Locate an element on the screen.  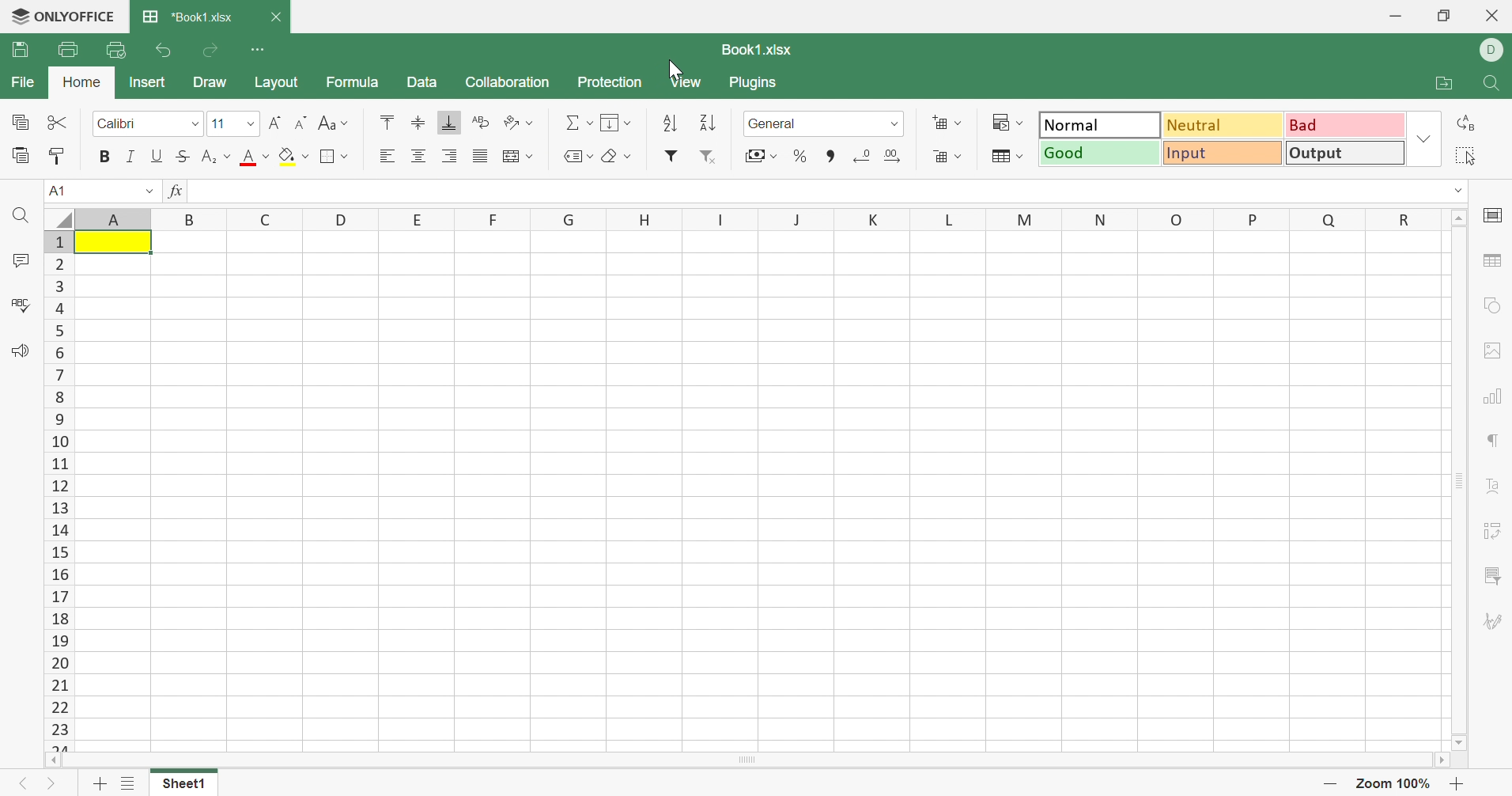
General is located at coordinates (822, 122).